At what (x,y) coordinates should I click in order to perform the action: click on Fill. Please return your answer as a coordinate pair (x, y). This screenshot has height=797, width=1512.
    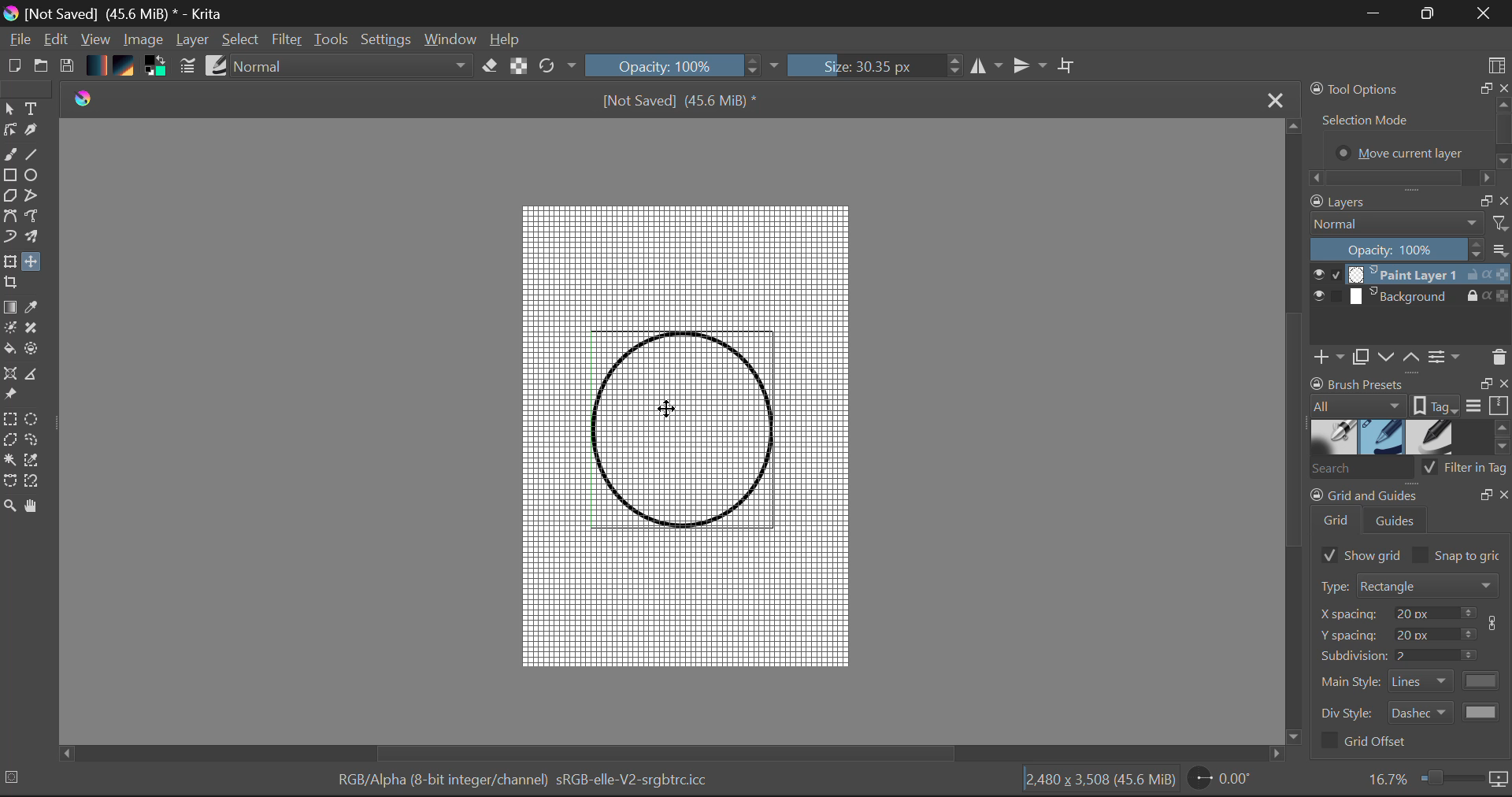
    Looking at the image, I should click on (9, 350).